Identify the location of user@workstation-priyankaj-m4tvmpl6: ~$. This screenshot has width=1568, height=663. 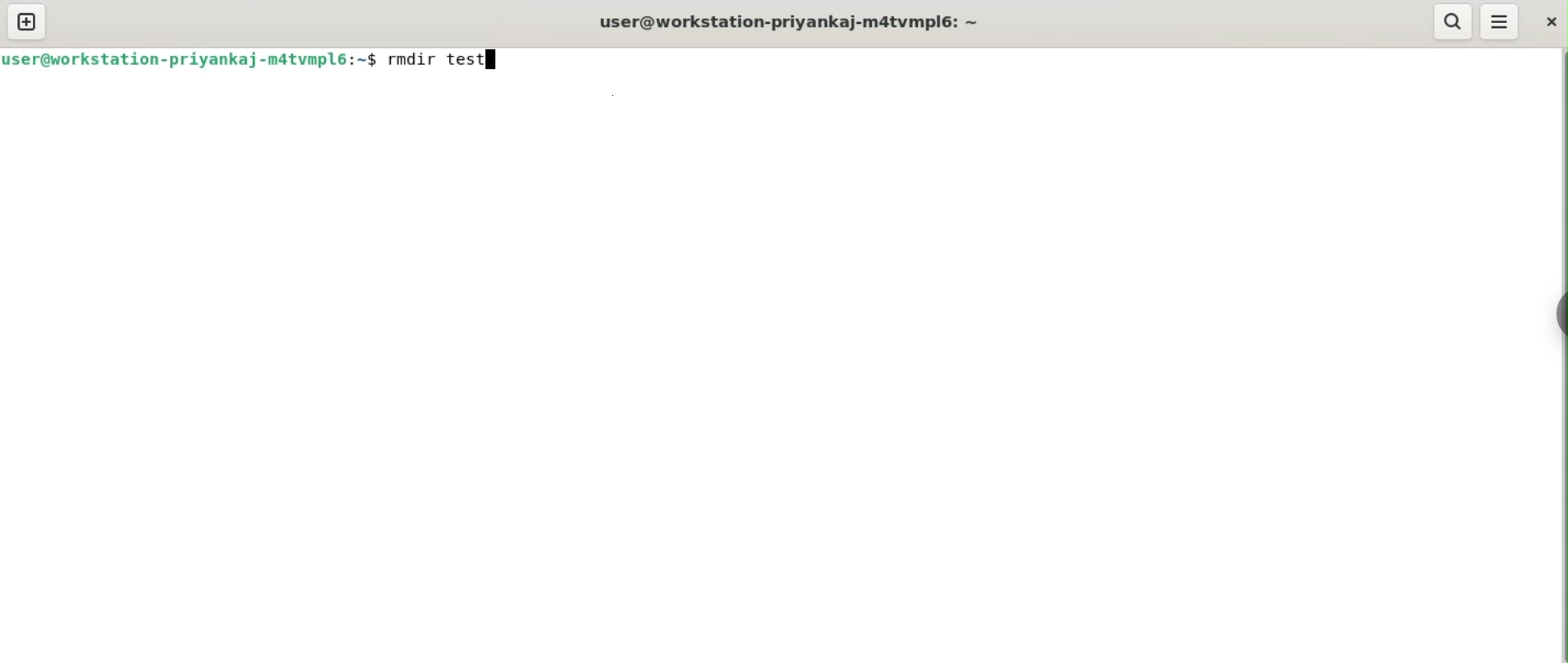
(193, 59).